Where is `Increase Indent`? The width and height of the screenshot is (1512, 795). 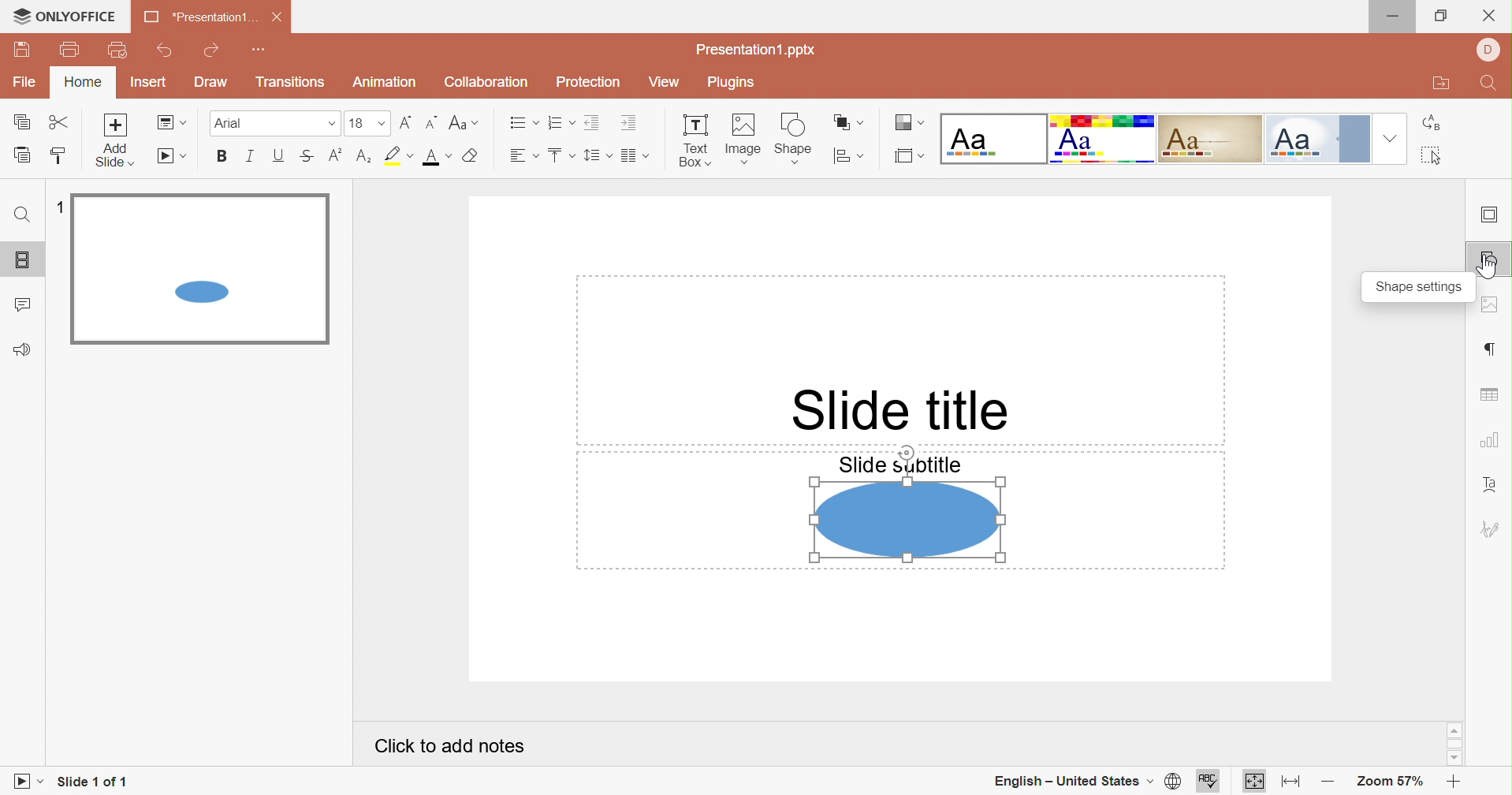 Increase Indent is located at coordinates (627, 123).